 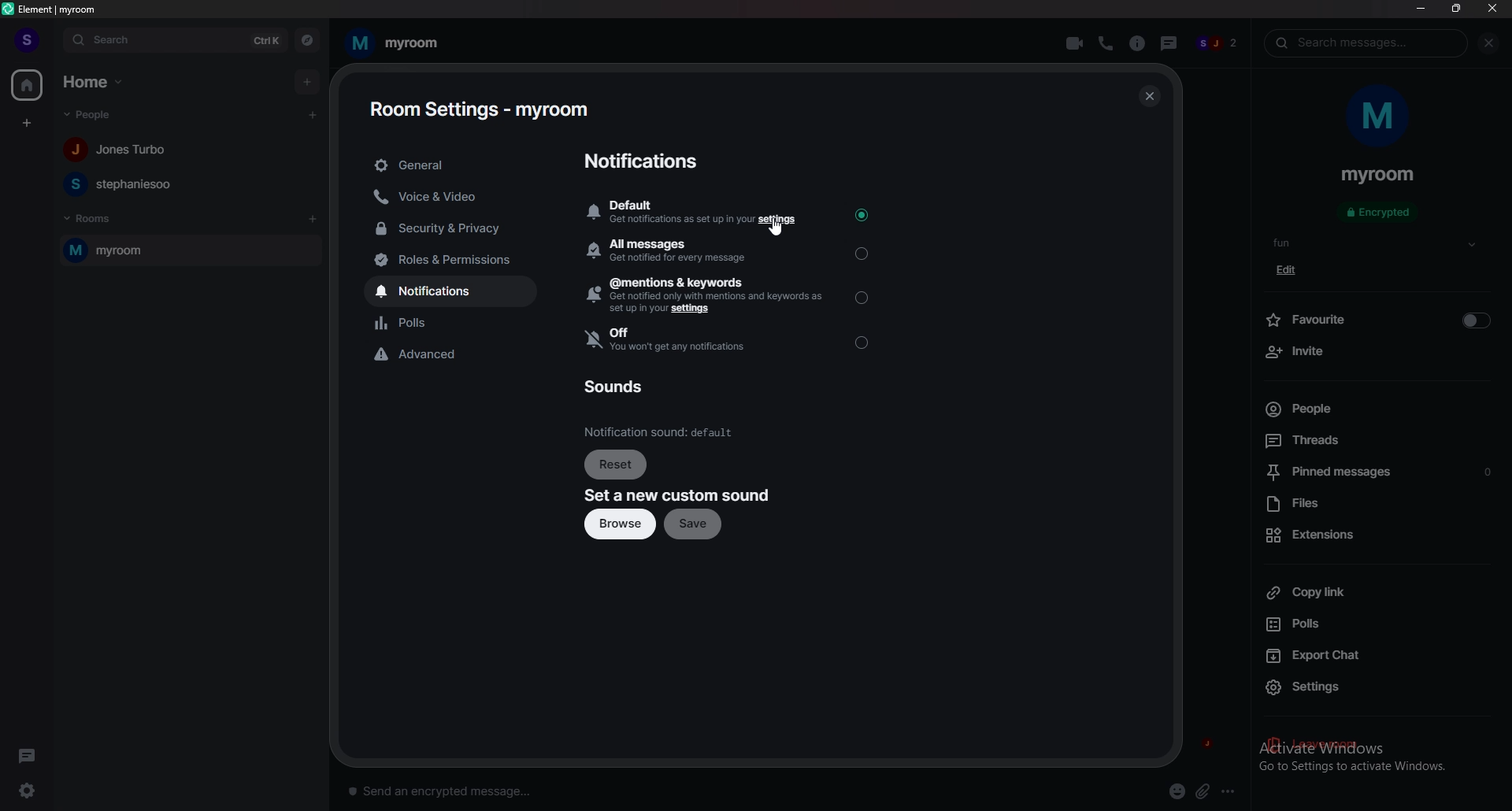 What do you see at coordinates (1373, 624) in the screenshot?
I see `polls` at bounding box center [1373, 624].